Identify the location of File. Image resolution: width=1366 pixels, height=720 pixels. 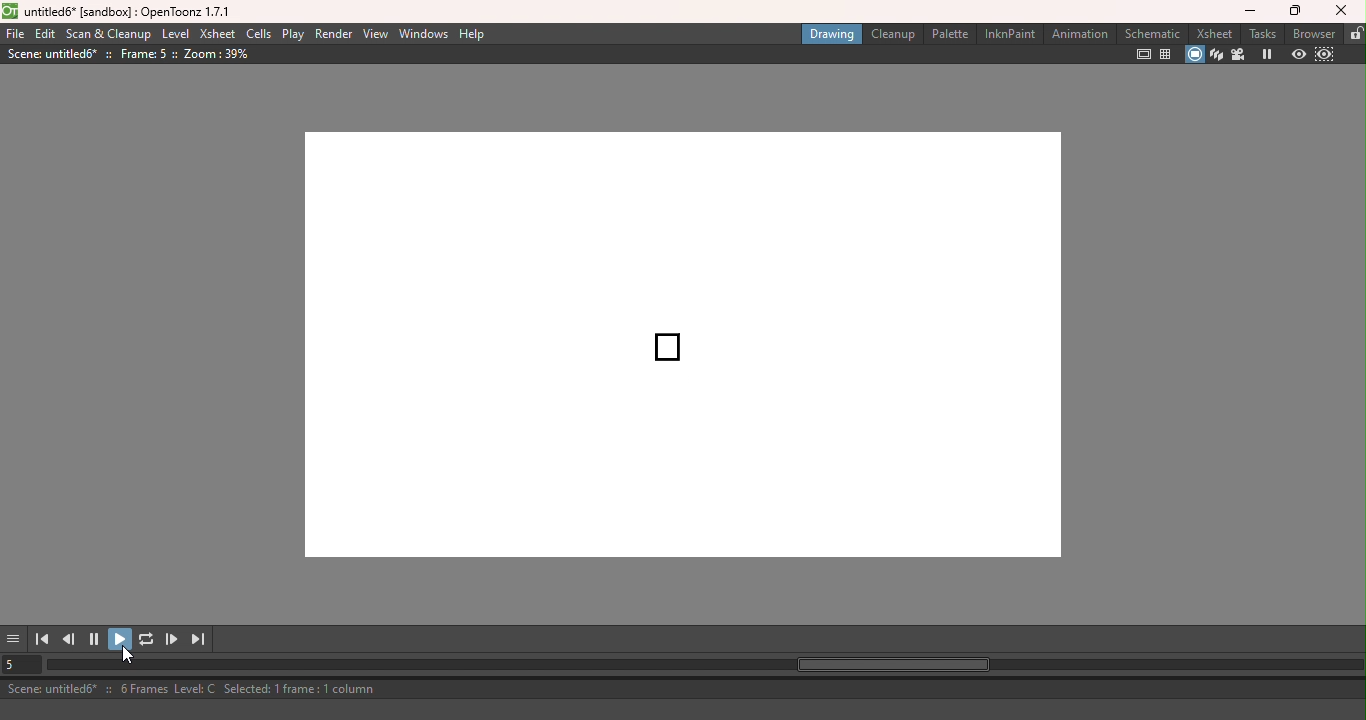
(16, 35).